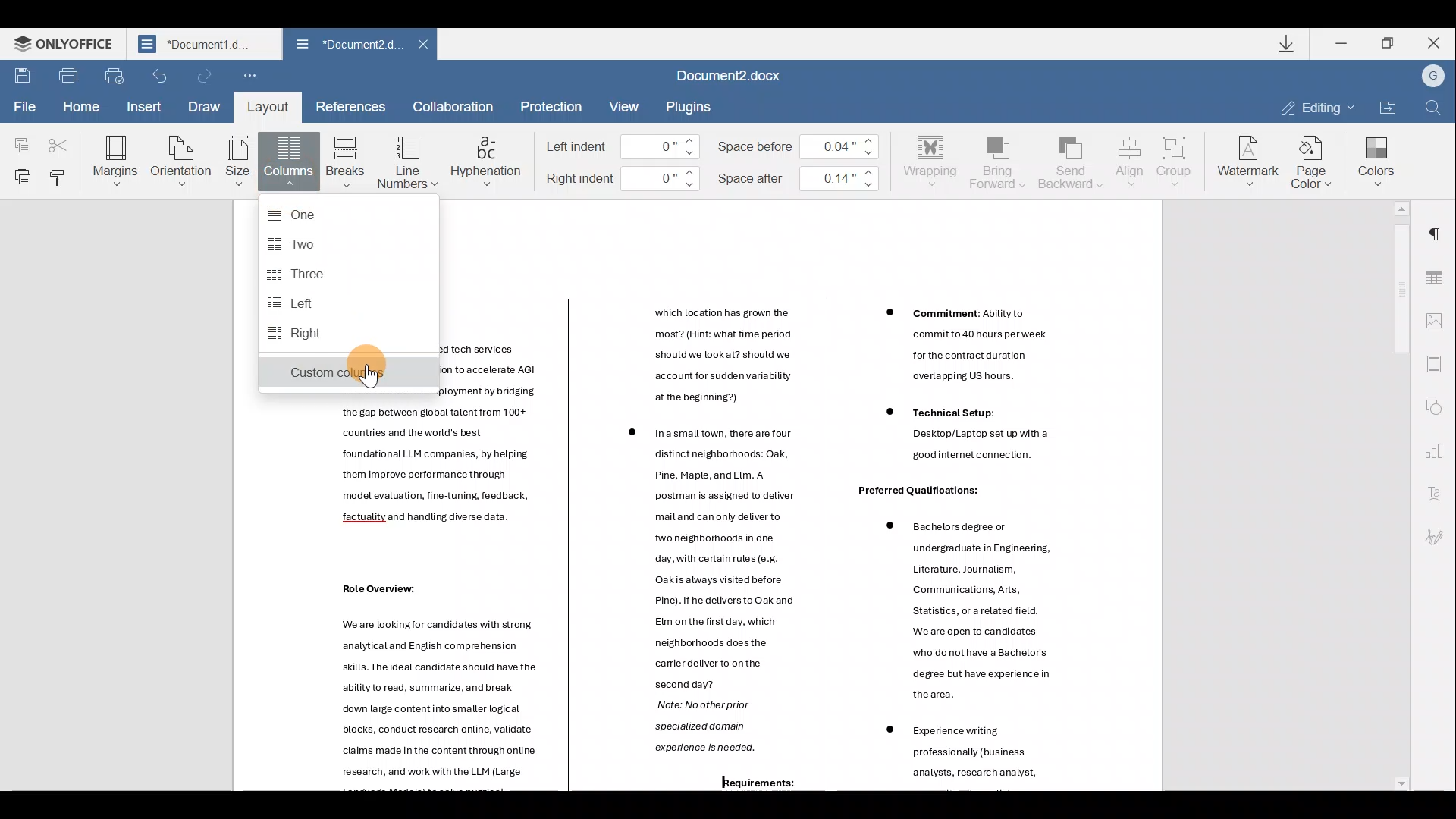  I want to click on Downloads, so click(1288, 45).